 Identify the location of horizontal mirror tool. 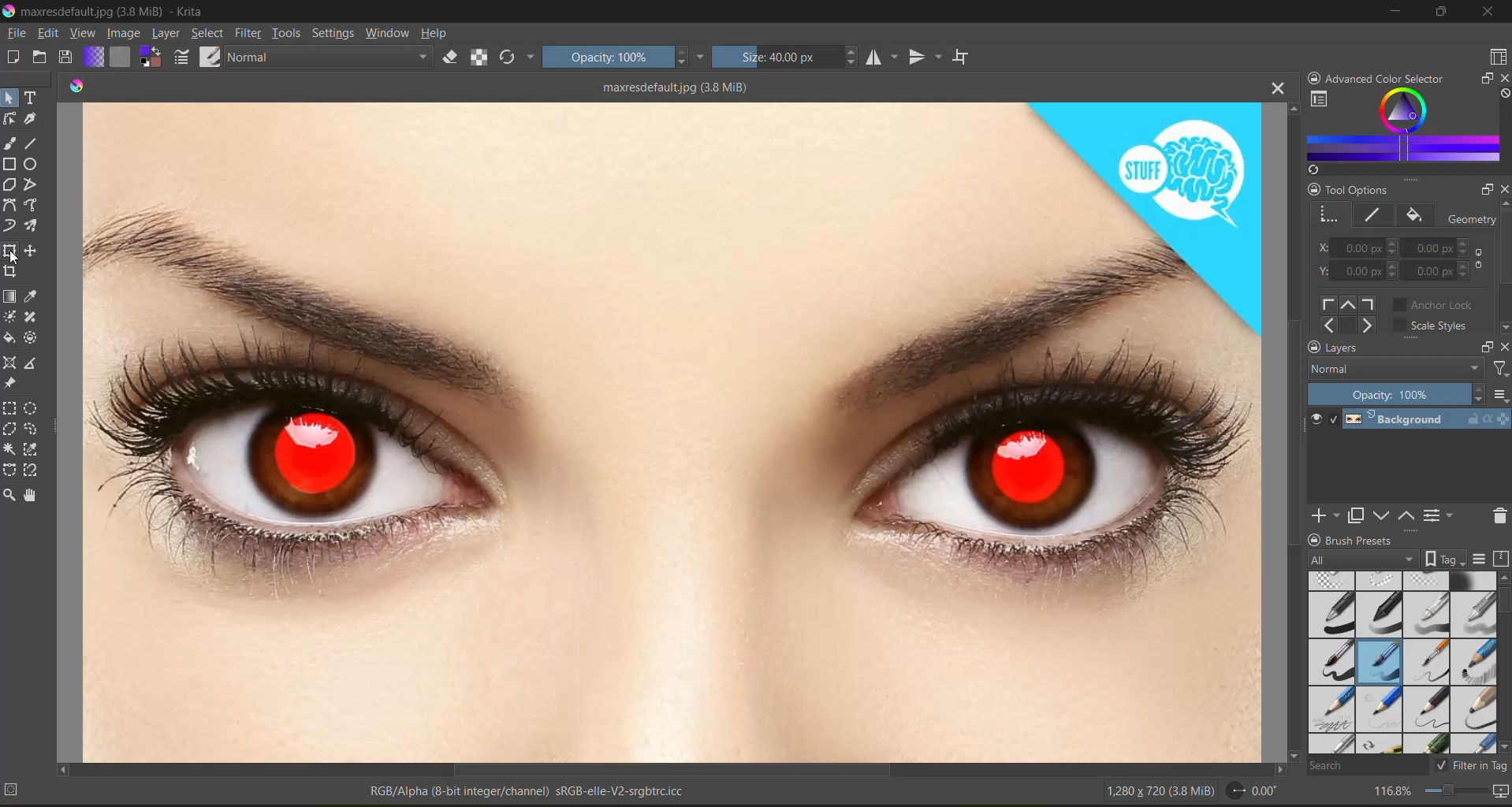
(885, 58).